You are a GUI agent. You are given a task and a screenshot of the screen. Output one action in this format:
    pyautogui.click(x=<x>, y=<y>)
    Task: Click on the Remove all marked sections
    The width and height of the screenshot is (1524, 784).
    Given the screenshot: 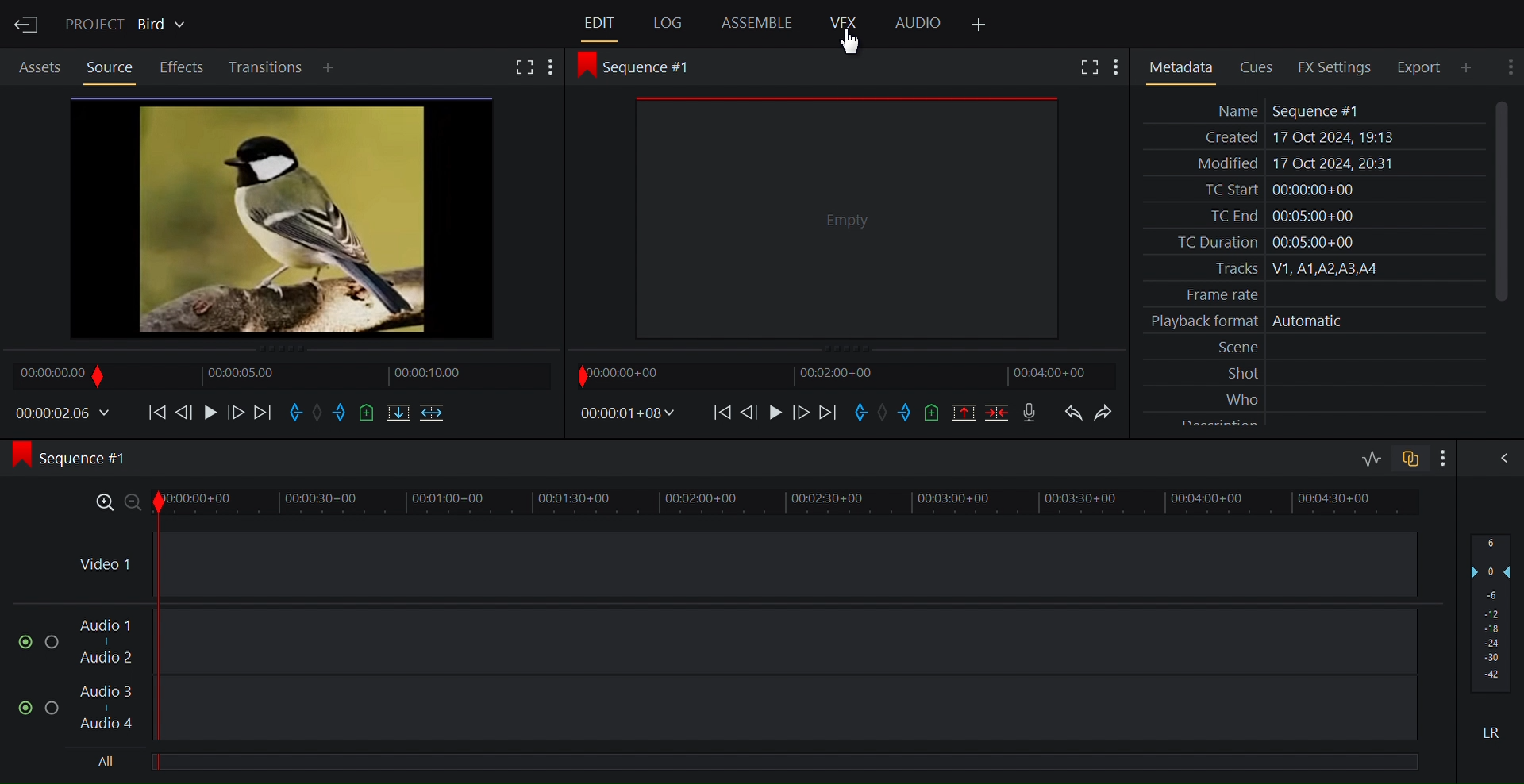 What is the action you would take?
    pyautogui.click(x=964, y=413)
    